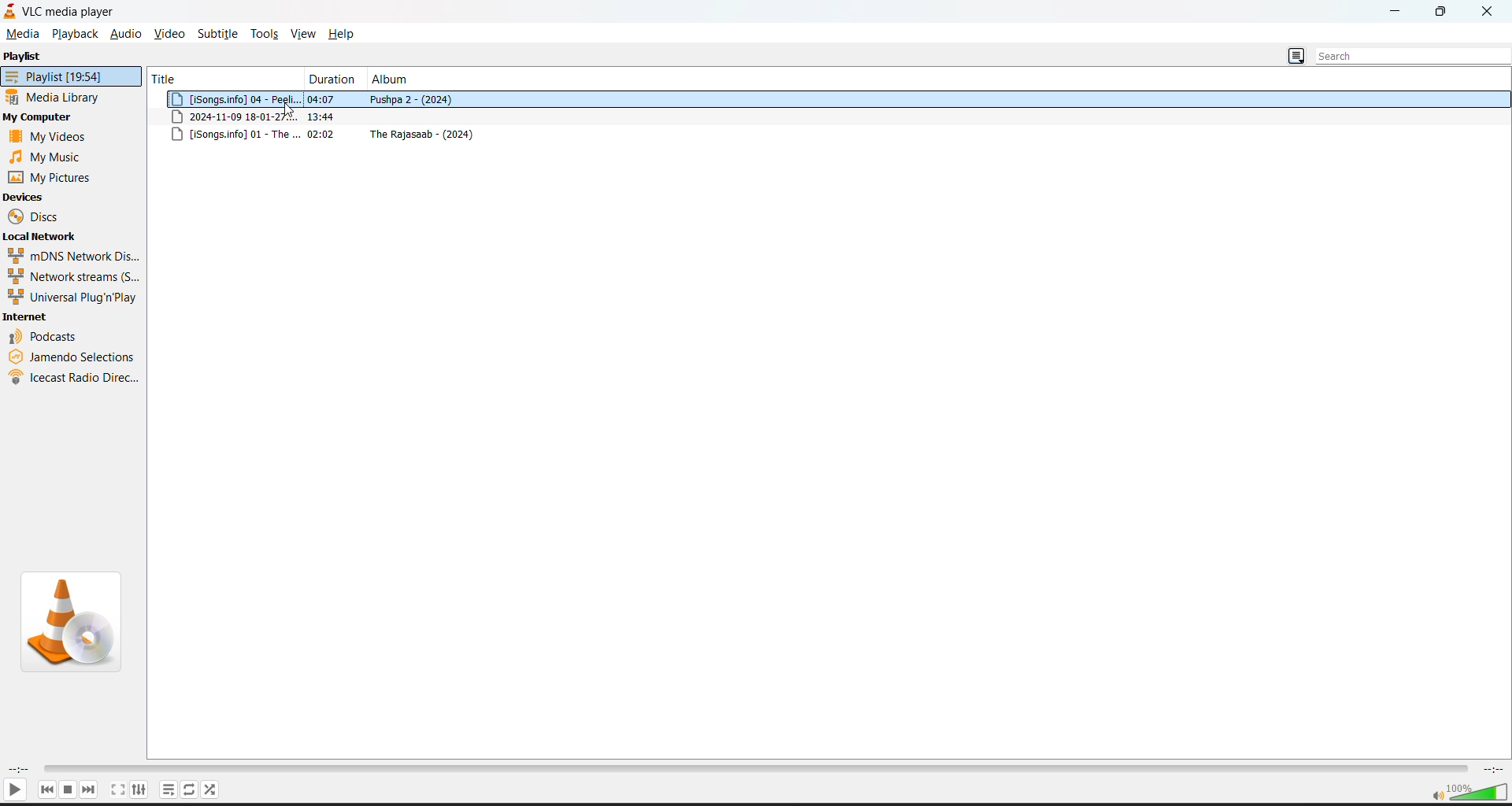  What do you see at coordinates (10, 11) in the screenshot?
I see `vlc logo` at bounding box center [10, 11].